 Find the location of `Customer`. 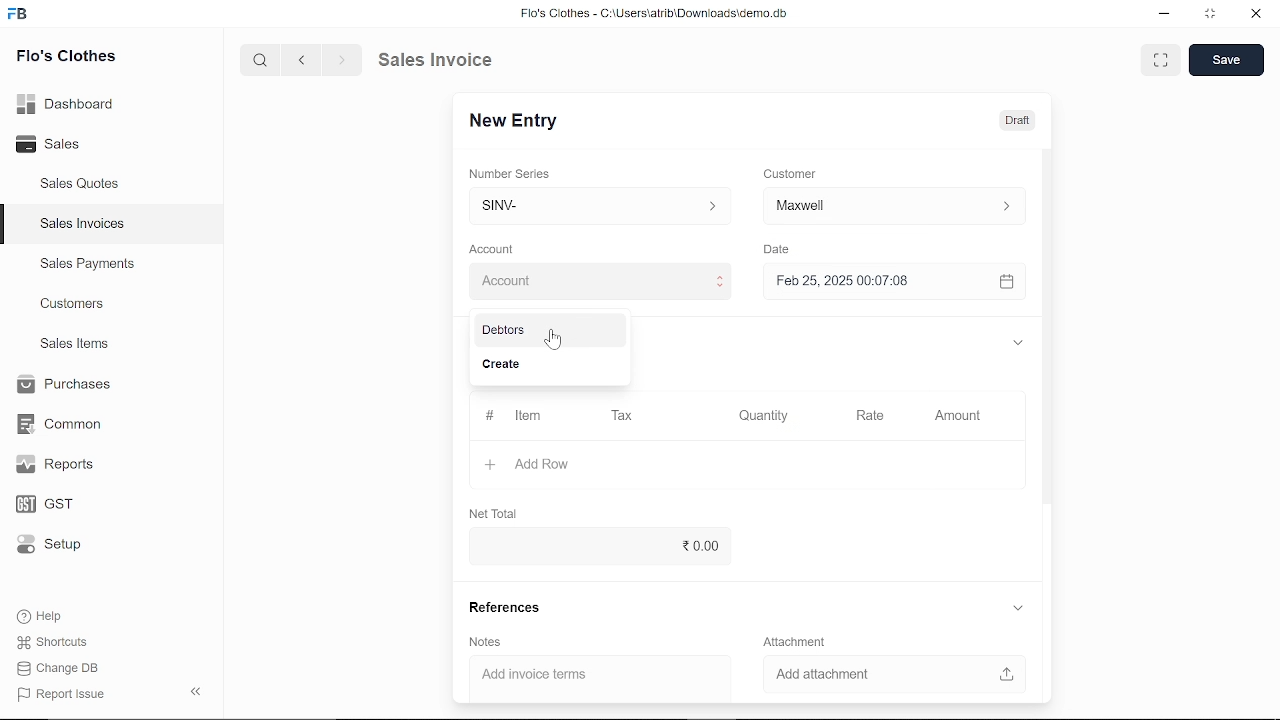

Customer is located at coordinates (790, 173).